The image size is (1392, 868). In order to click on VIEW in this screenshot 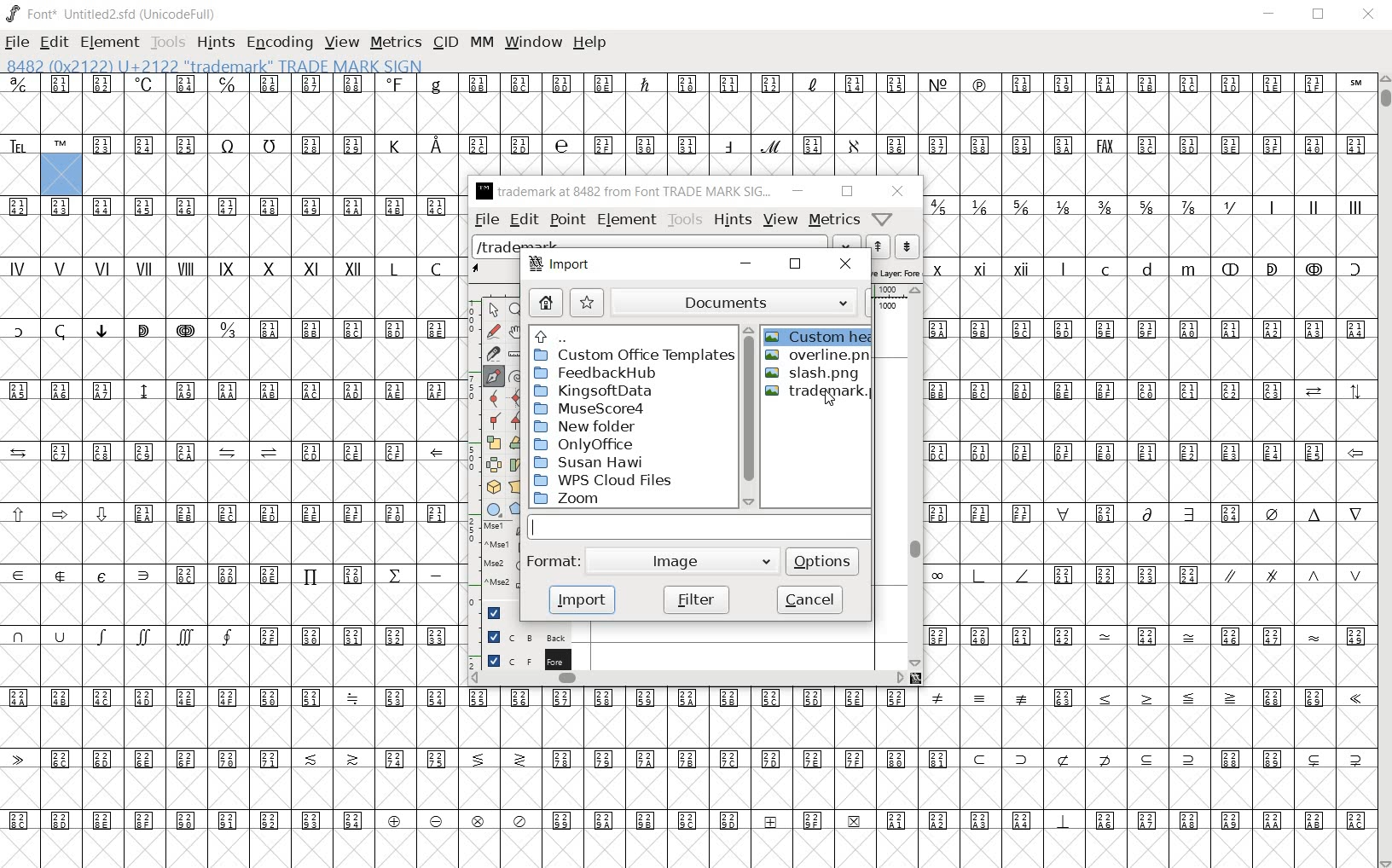, I will do `click(342, 43)`.